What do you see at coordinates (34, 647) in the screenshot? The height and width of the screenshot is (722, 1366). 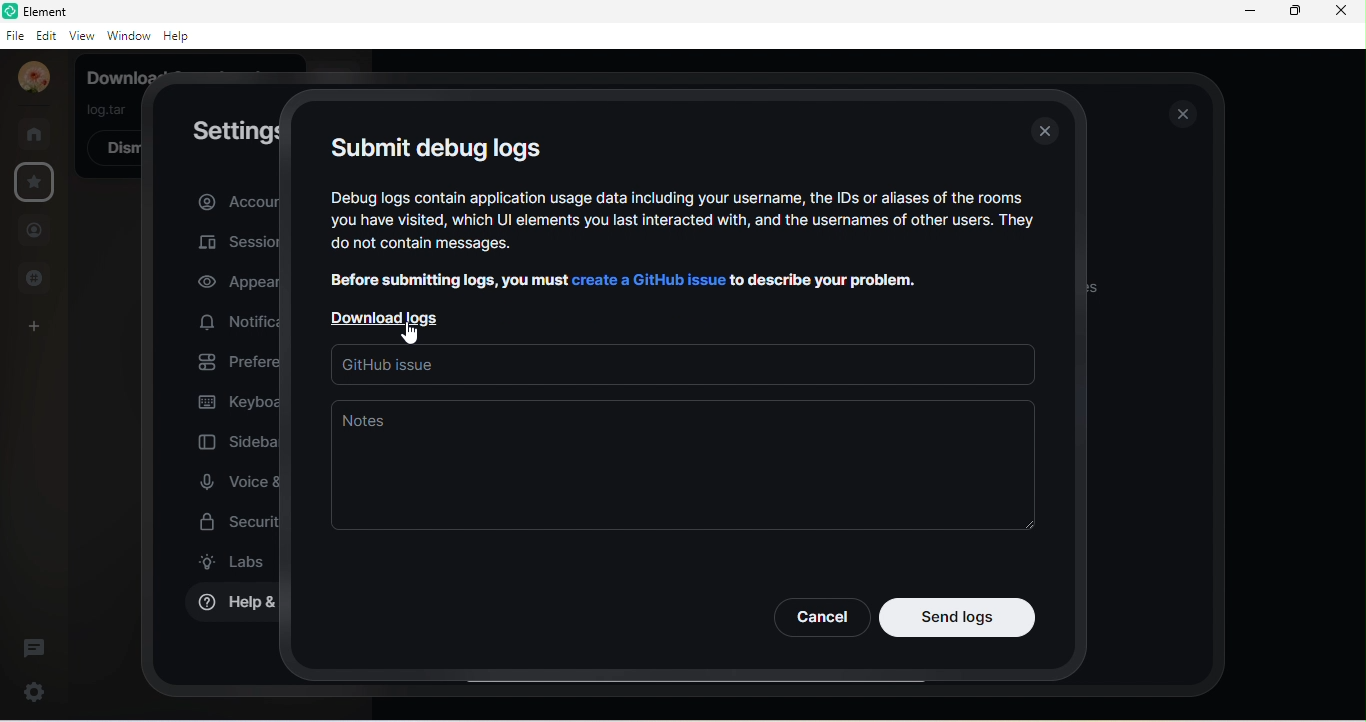 I see `thread` at bounding box center [34, 647].